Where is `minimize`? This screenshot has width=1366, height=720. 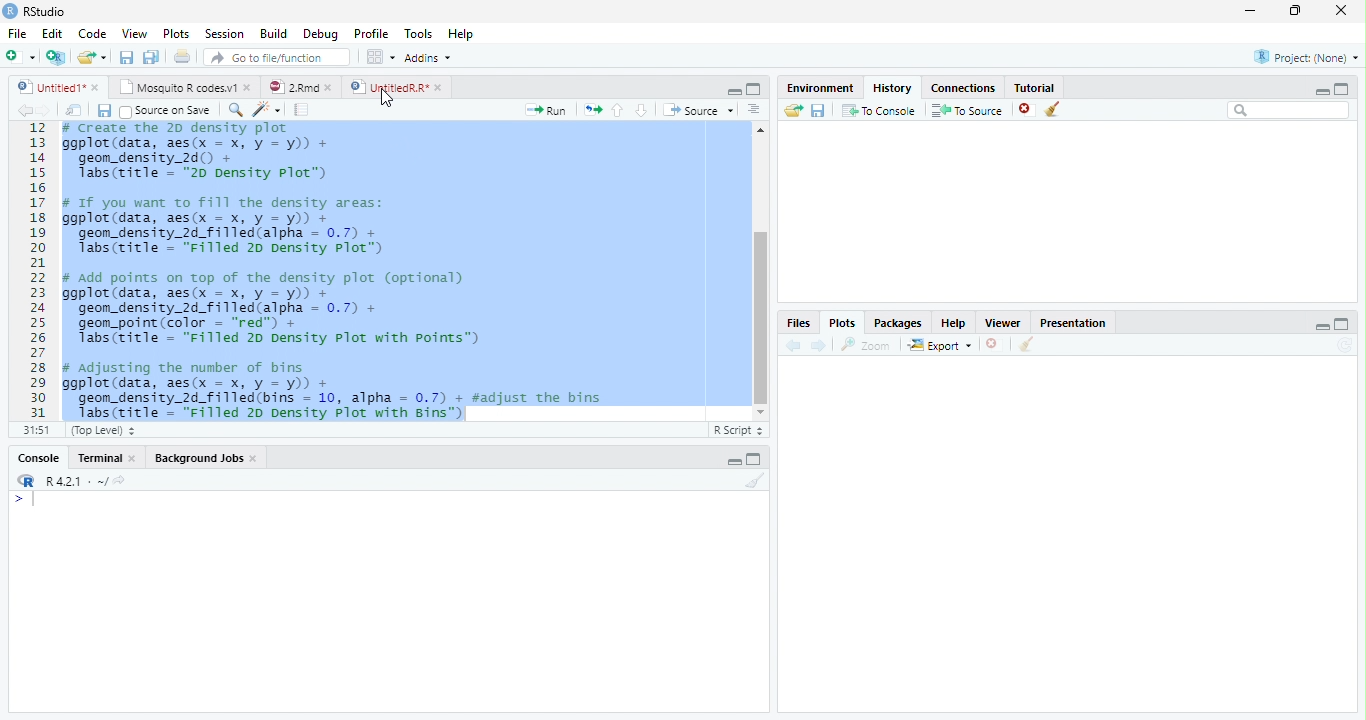
minimize is located at coordinates (1319, 91).